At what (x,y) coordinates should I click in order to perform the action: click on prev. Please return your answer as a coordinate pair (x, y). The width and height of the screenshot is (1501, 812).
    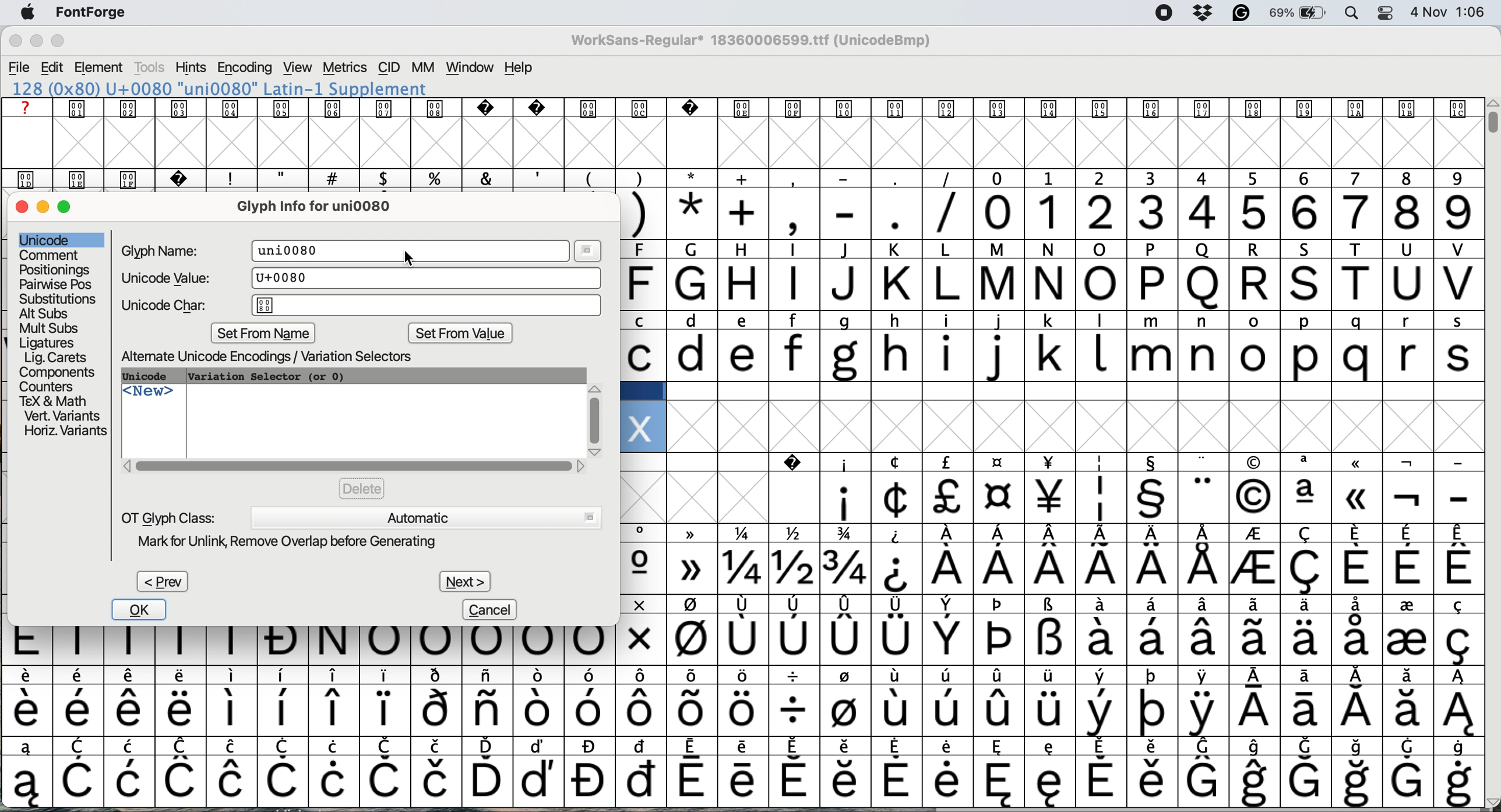
    Looking at the image, I should click on (161, 581).